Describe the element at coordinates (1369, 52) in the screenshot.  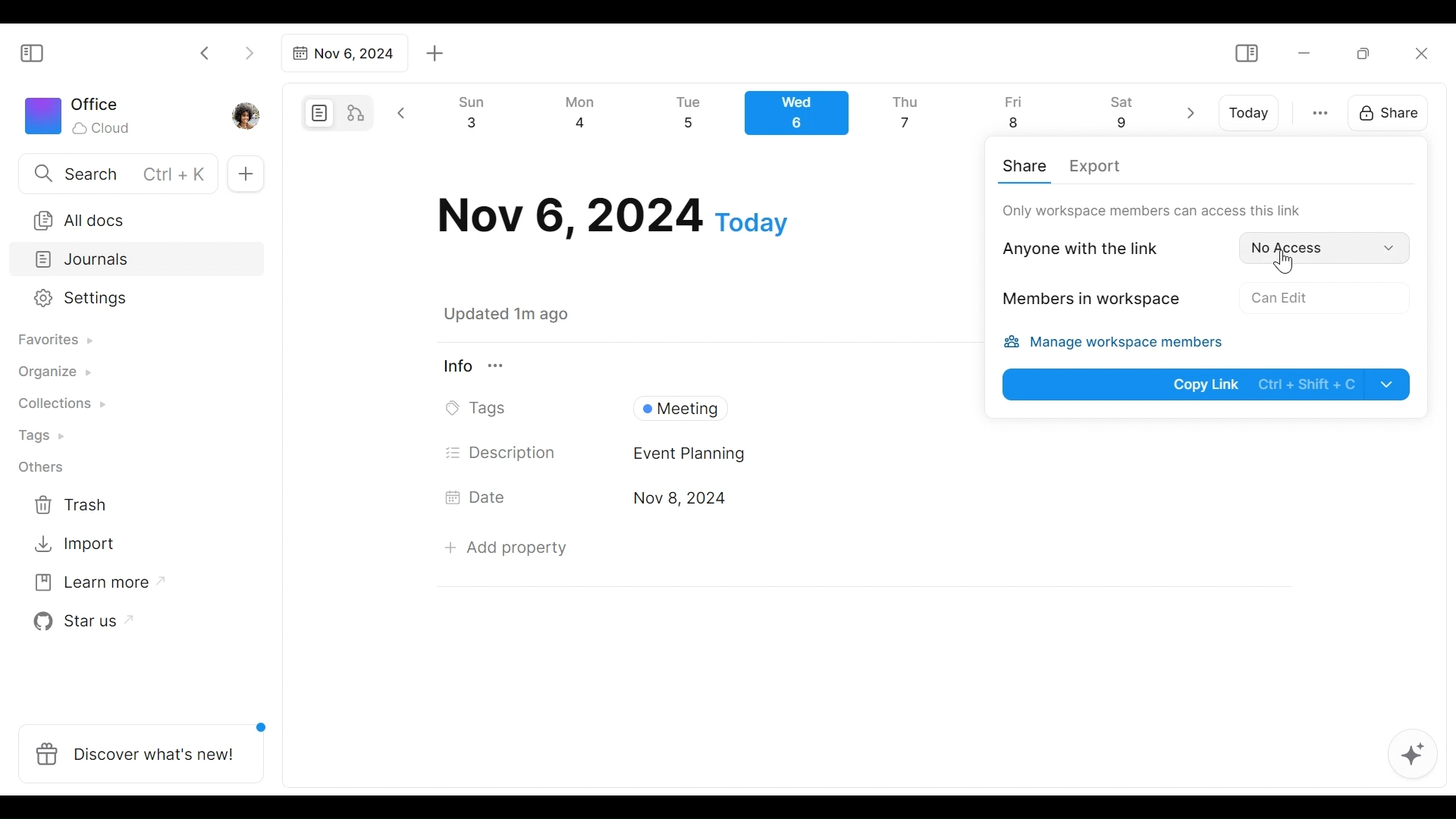
I see `Restore` at that location.